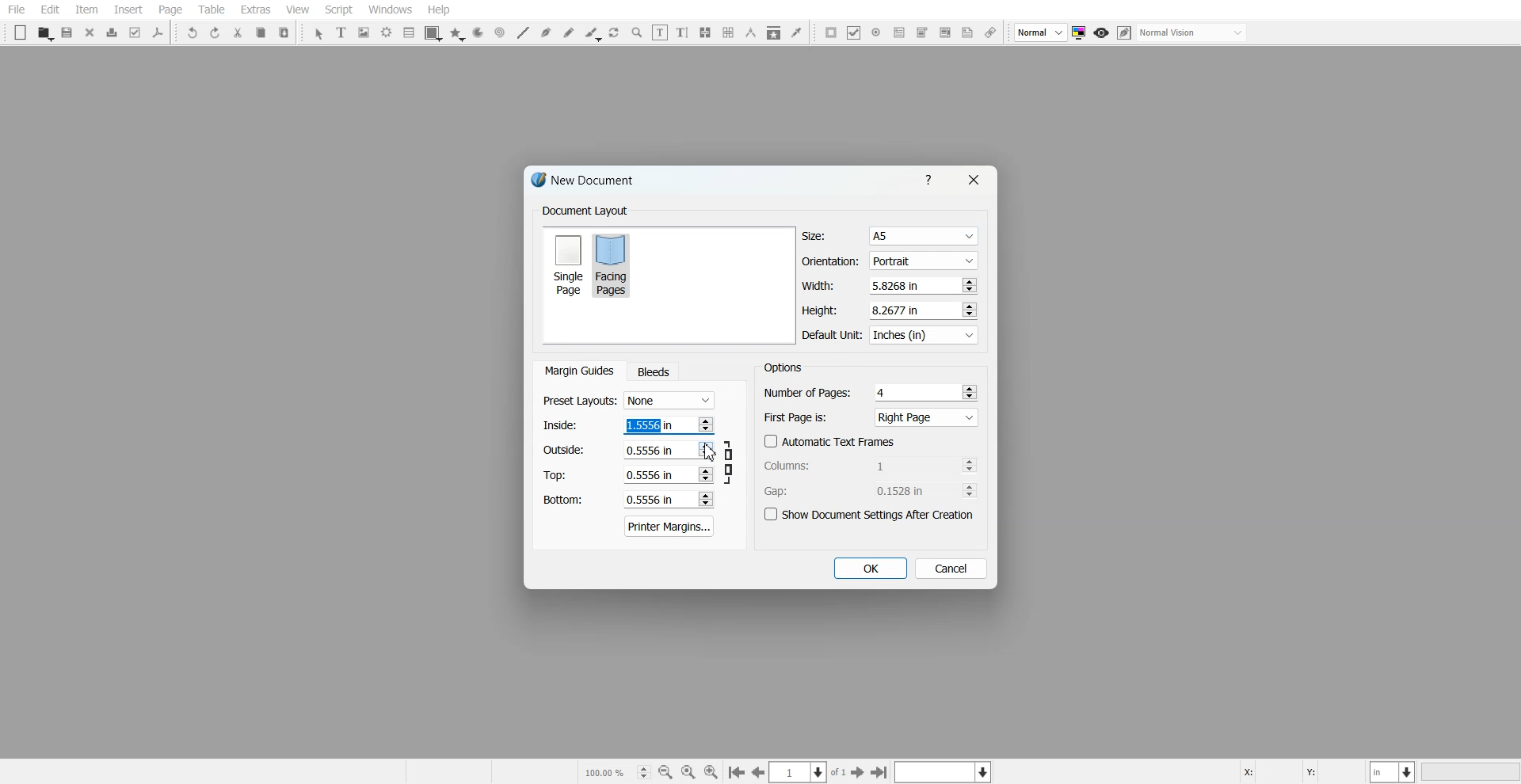 The image size is (1521, 784). What do you see at coordinates (1125, 32) in the screenshot?
I see `Edit in preview mode` at bounding box center [1125, 32].